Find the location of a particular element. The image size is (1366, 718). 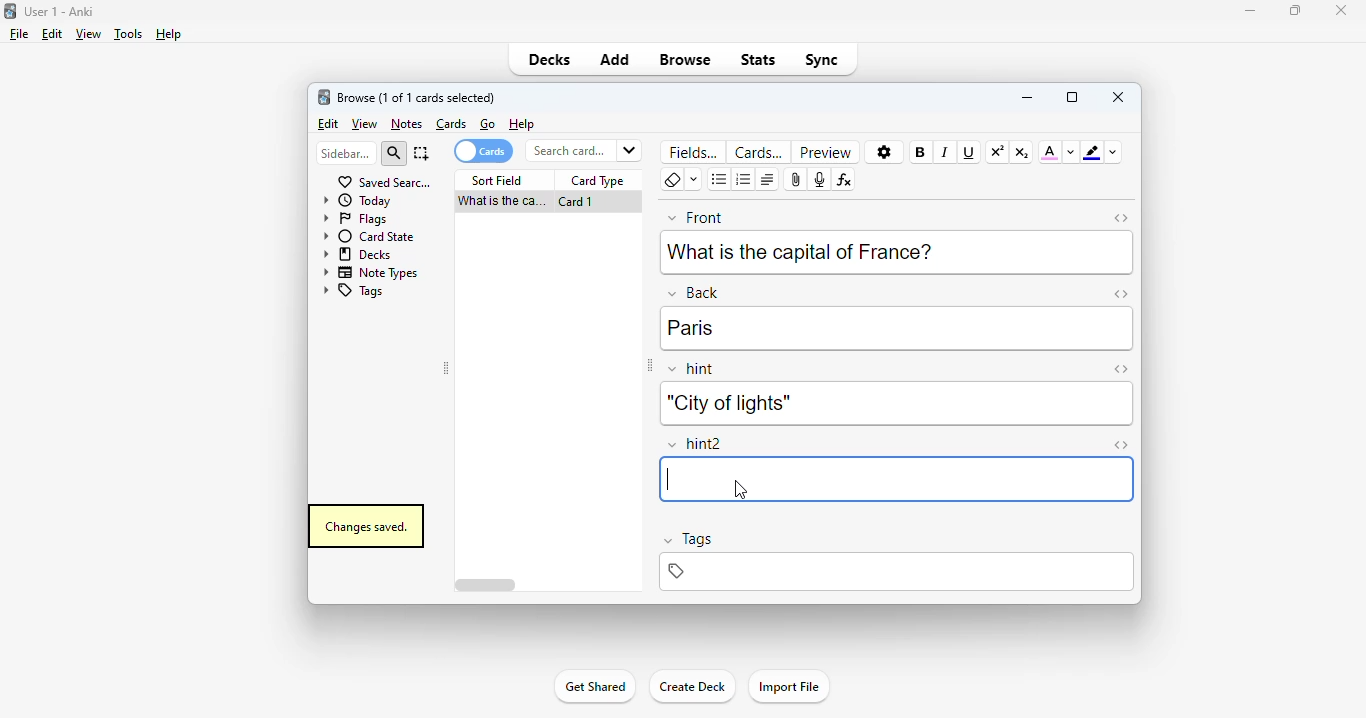

front is located at coordinates (696, 216).